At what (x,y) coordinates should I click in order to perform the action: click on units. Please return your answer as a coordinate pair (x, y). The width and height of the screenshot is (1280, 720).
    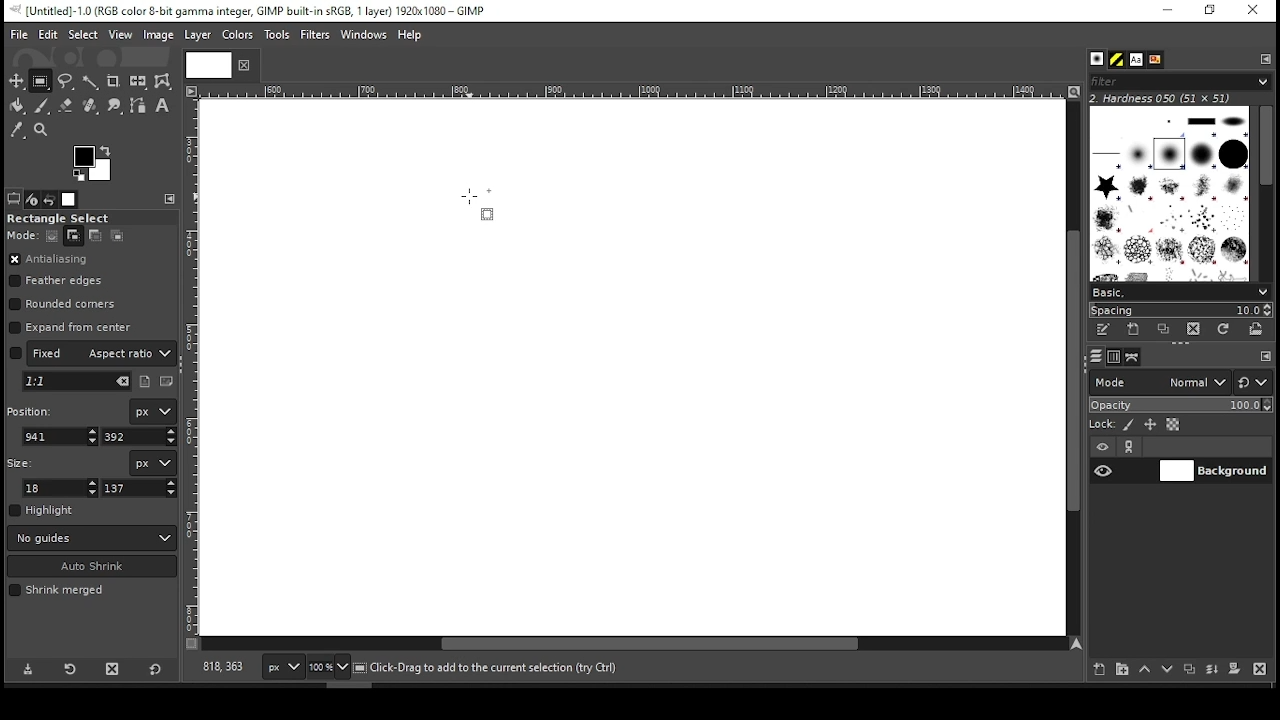
    Looking at the image, I should click on (284, 668).